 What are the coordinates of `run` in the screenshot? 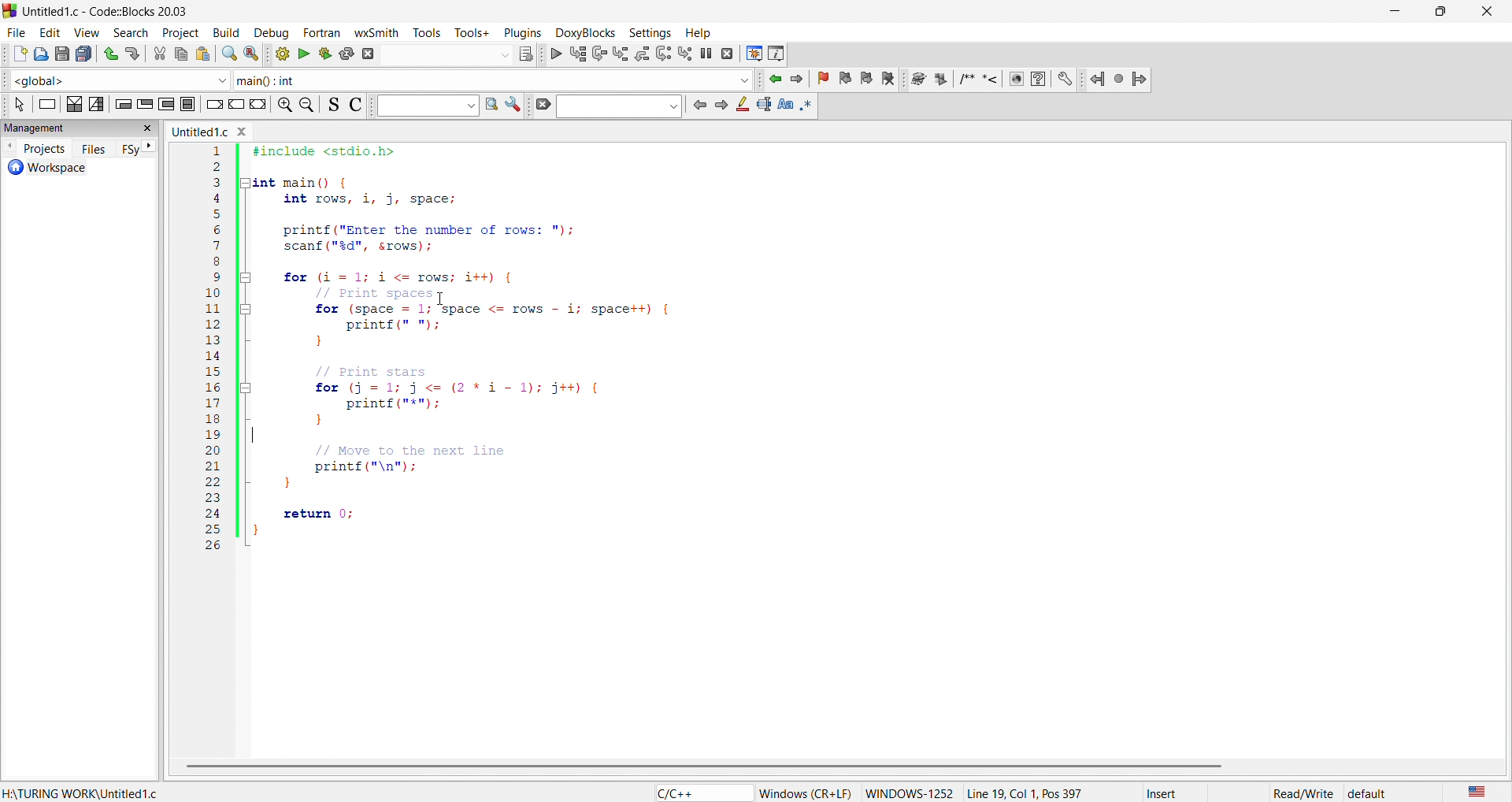 It's located at (302, 53).